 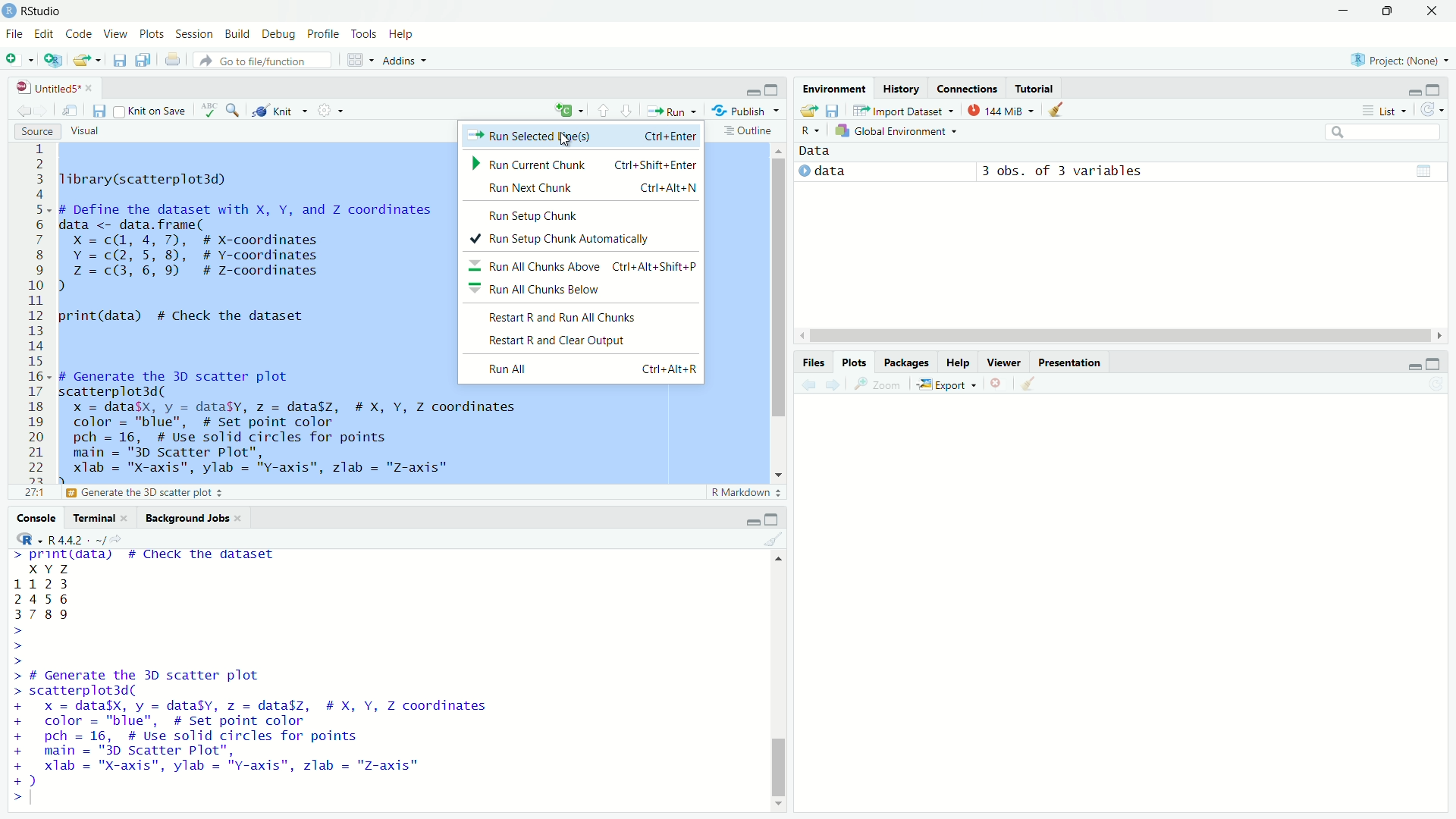 What do you see at coordinates (880, 385) in the screenshot?
I see `view a larger version of the plot in a new window` at bounding box center [880, 385].